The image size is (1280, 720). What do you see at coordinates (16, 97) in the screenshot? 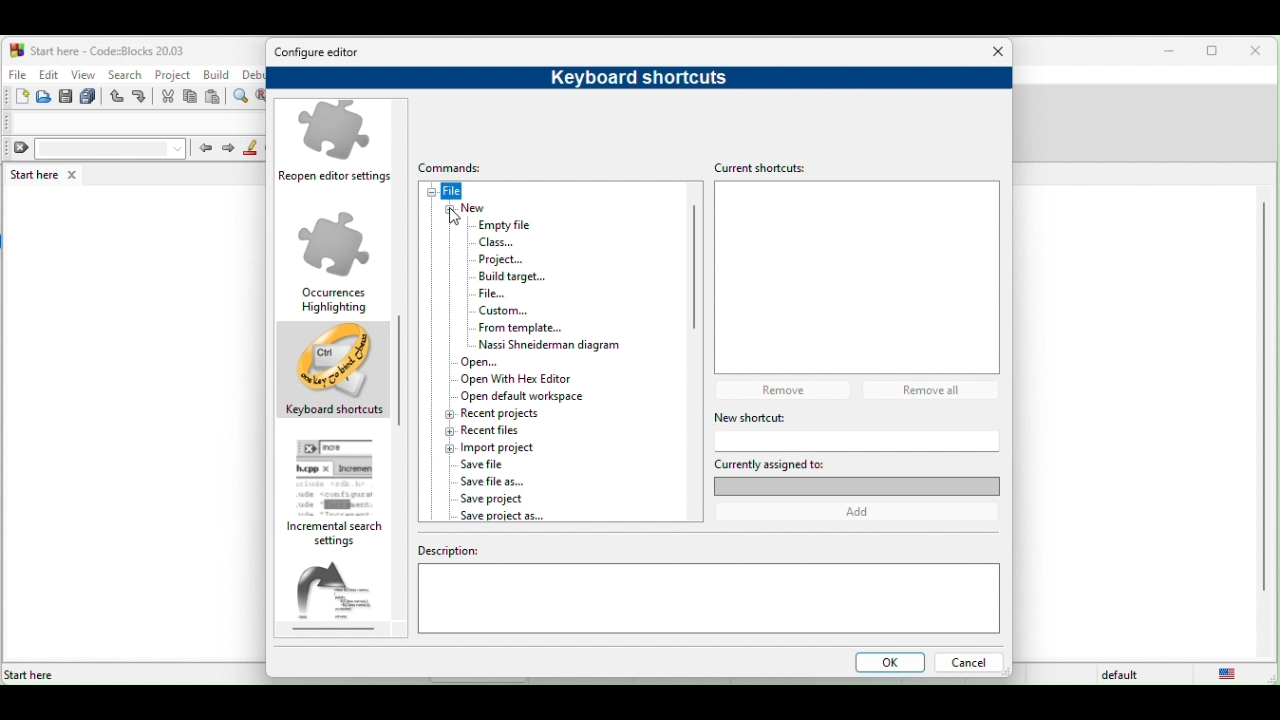
I see `new` at bounding box center [16, 97].